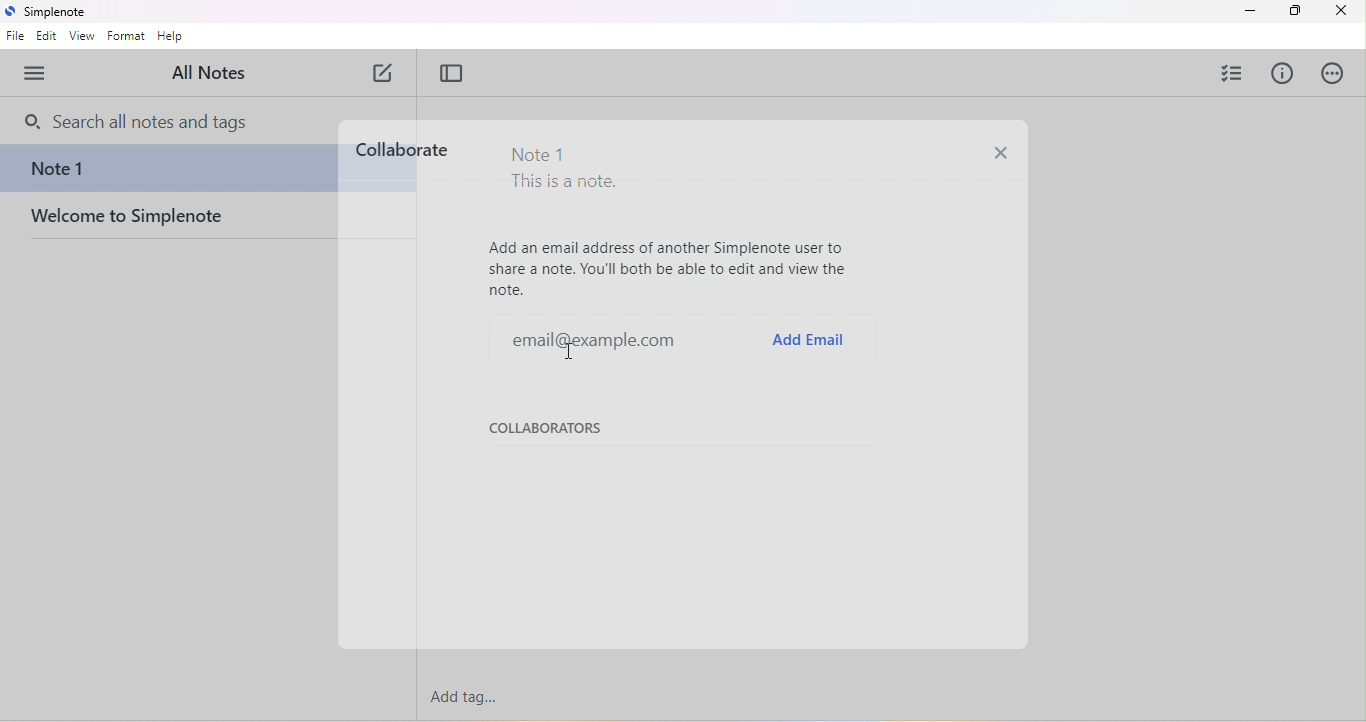  What do you see at coordinates (48, 37) in the screenshot?
I see `edit` at bounding box center [48, 37].